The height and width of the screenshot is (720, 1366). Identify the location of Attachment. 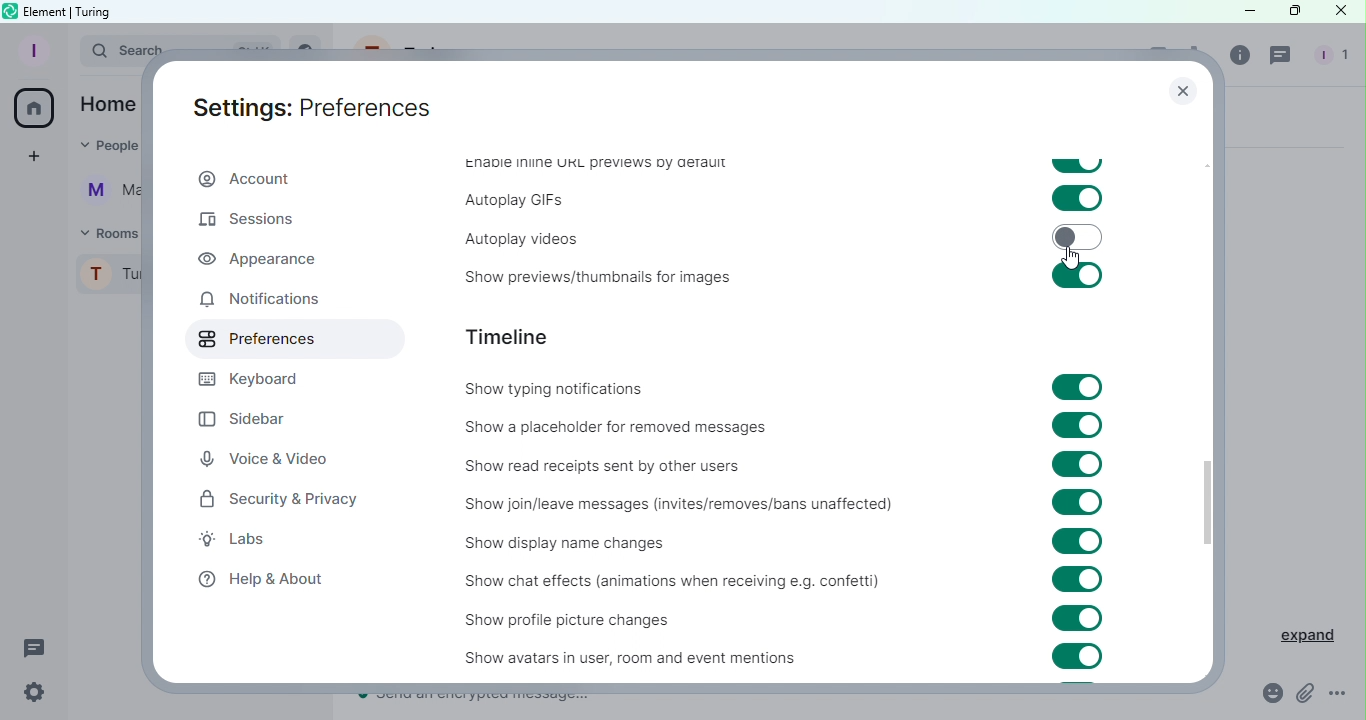
(1305, 695).